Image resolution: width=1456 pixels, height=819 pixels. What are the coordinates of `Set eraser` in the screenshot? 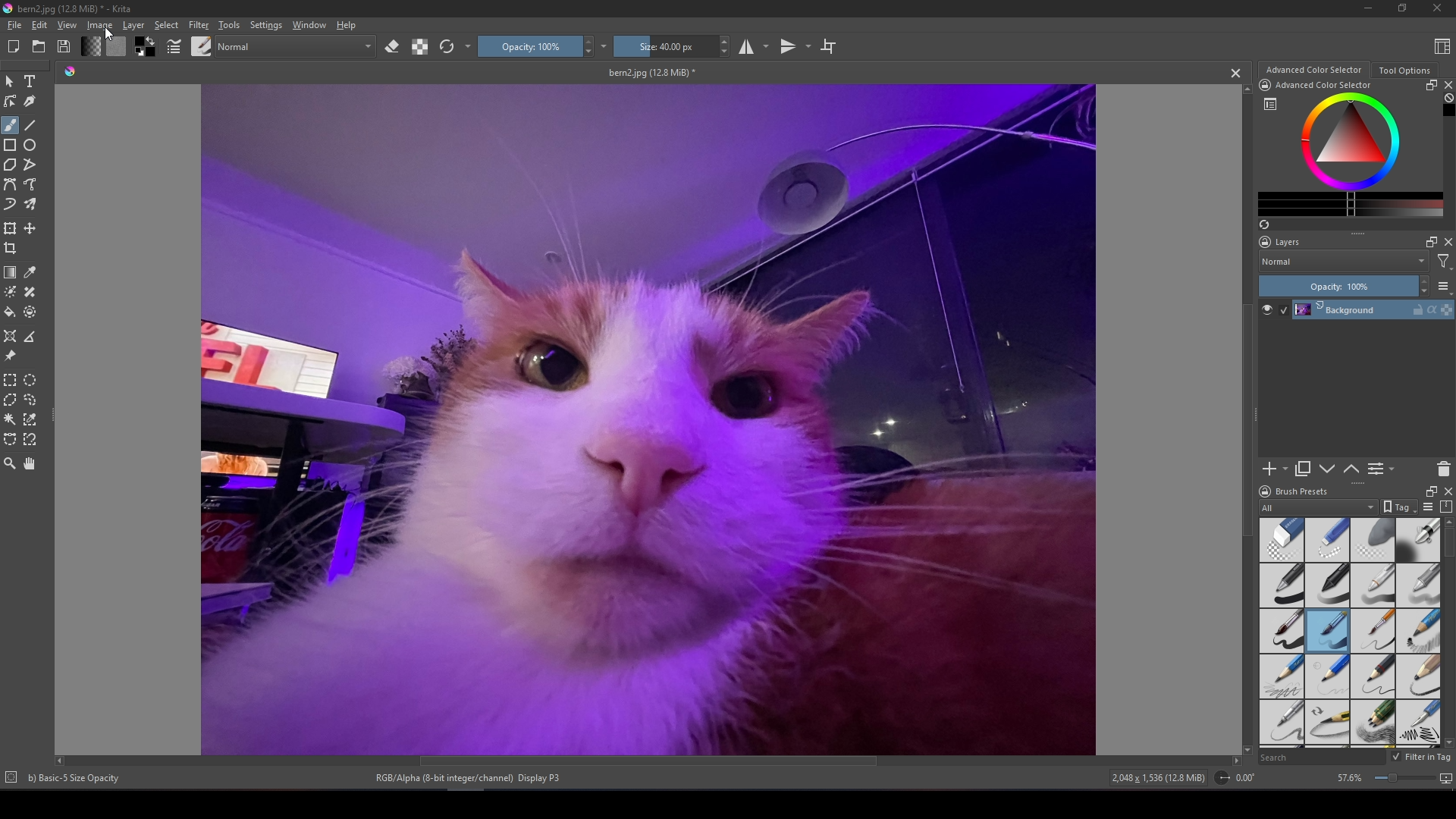 It's located at (392, 46).